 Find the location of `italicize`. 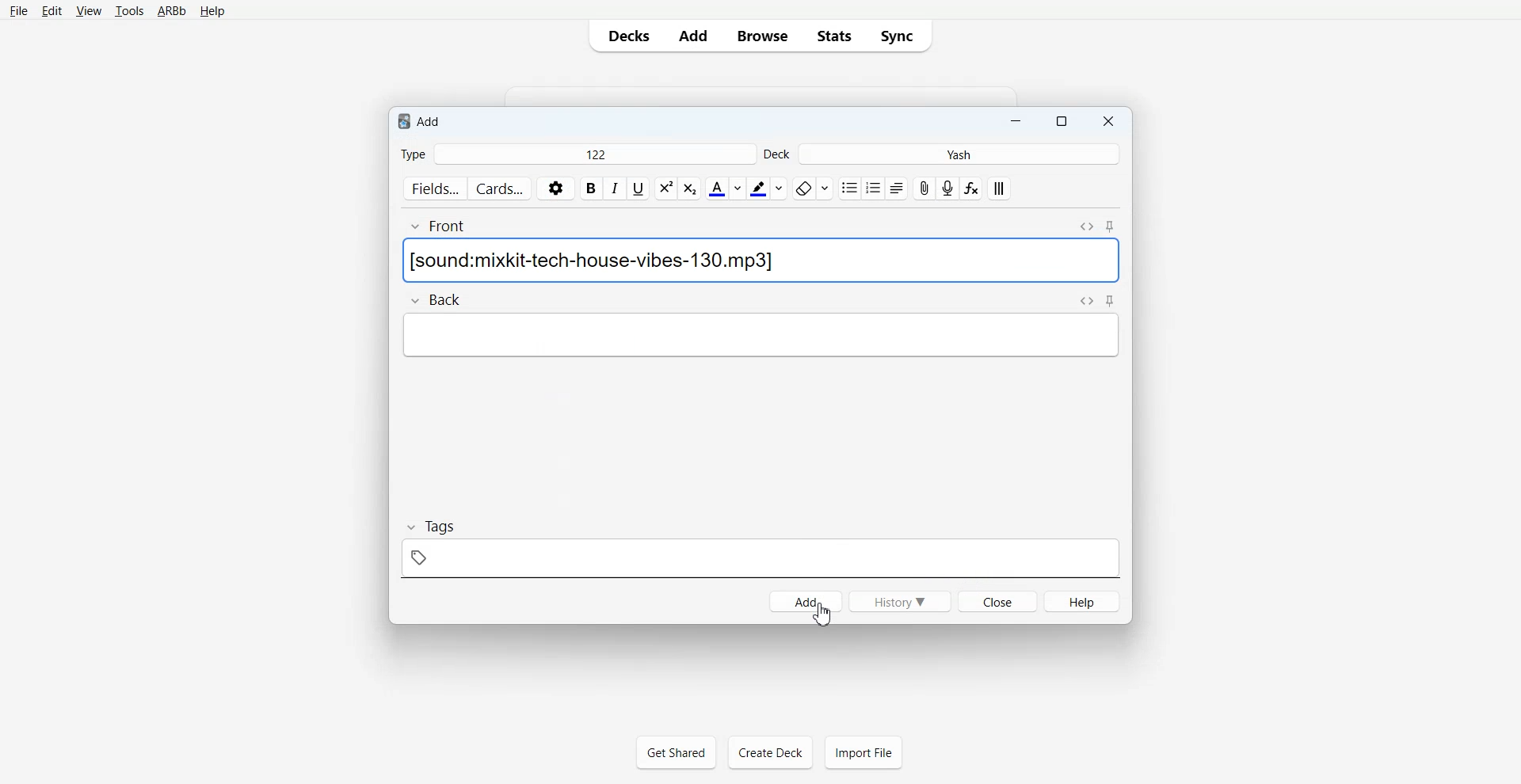

italicize is located at coordinates (615, 190).